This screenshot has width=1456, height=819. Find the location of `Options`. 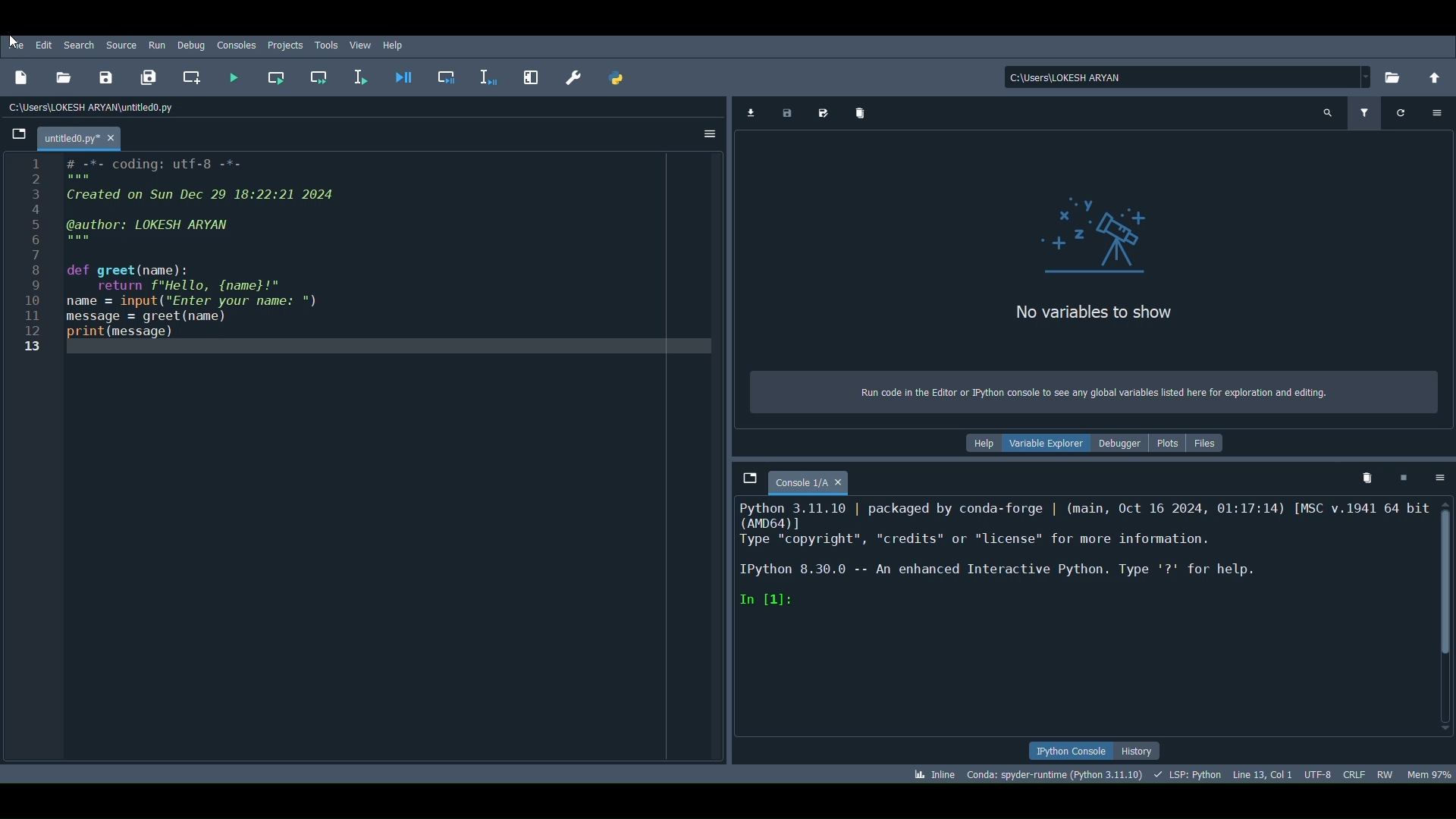

Options is located at coordinates (707, 132).